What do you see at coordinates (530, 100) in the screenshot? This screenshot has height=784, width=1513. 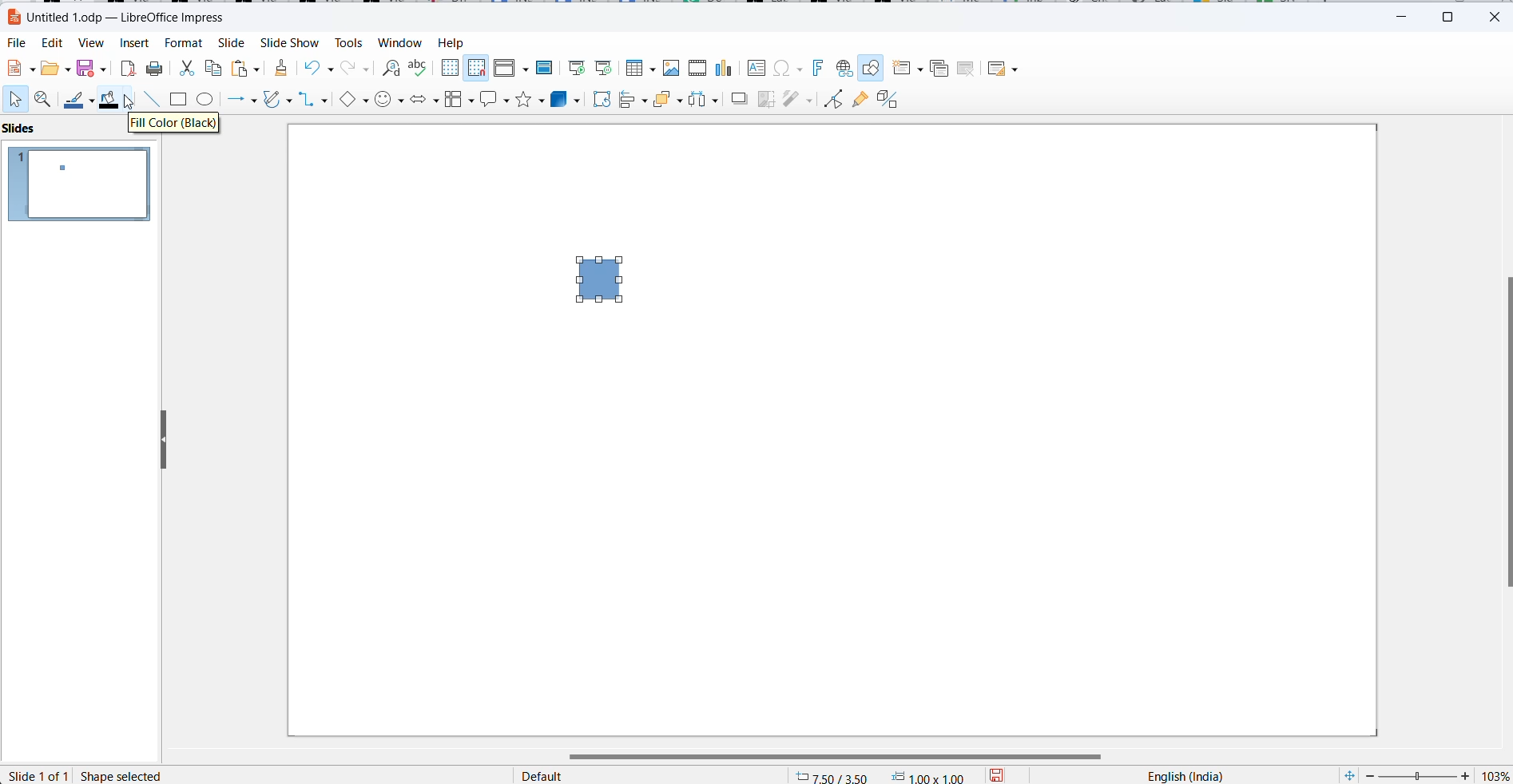 I see `star shapes` at bounding box center [530, 100].